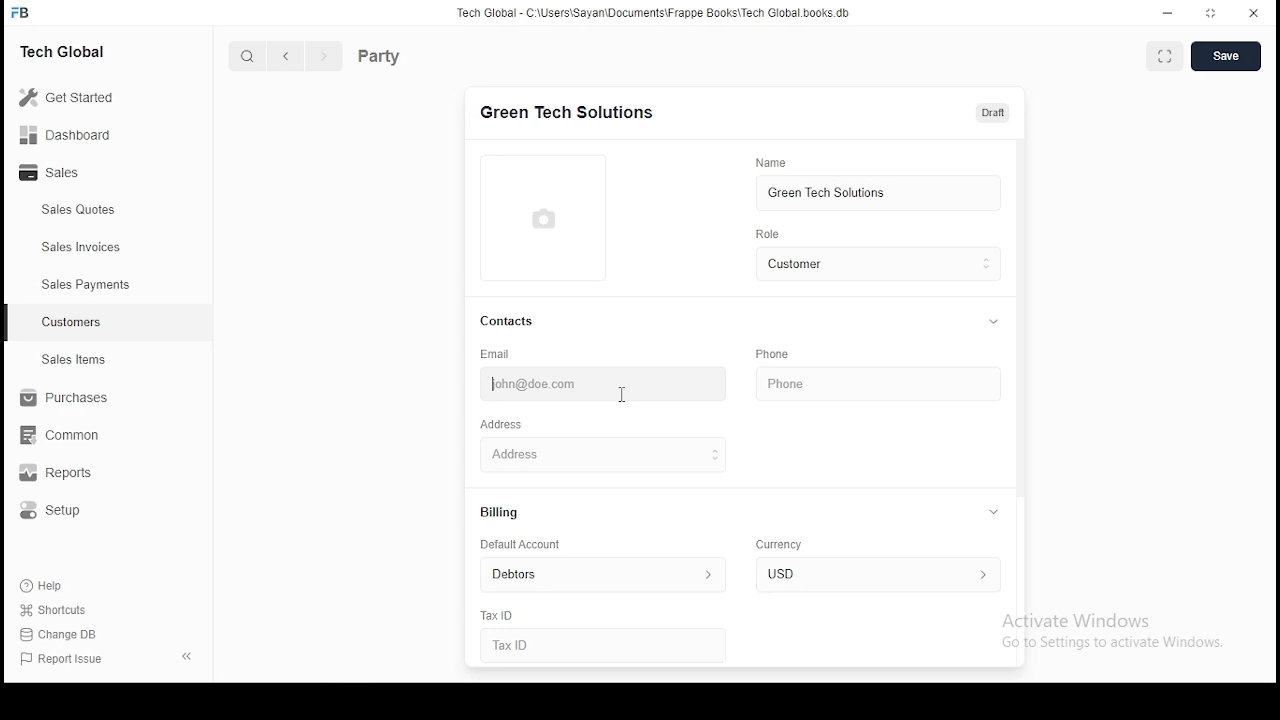 The image size is (1280, 720). I want to click on Help, so click(44, 589).